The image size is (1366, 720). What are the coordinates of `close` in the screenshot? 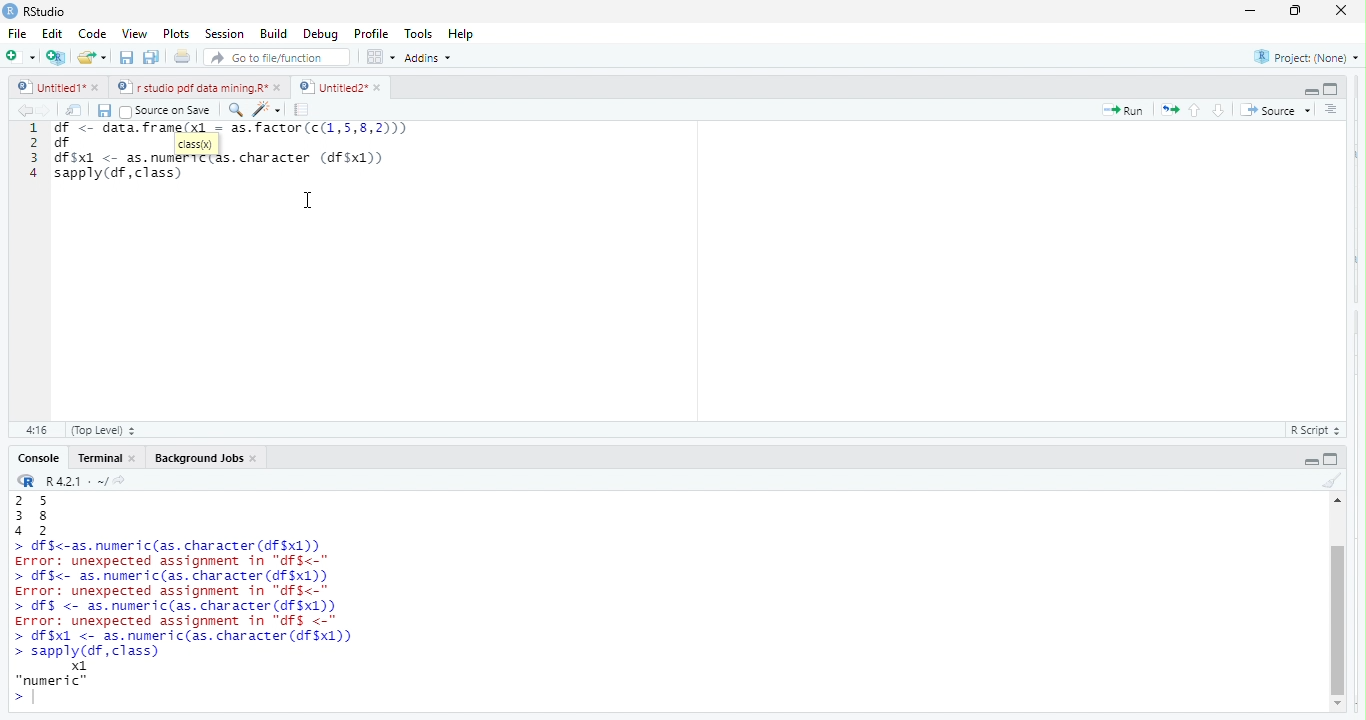 It's located at (381, 86).